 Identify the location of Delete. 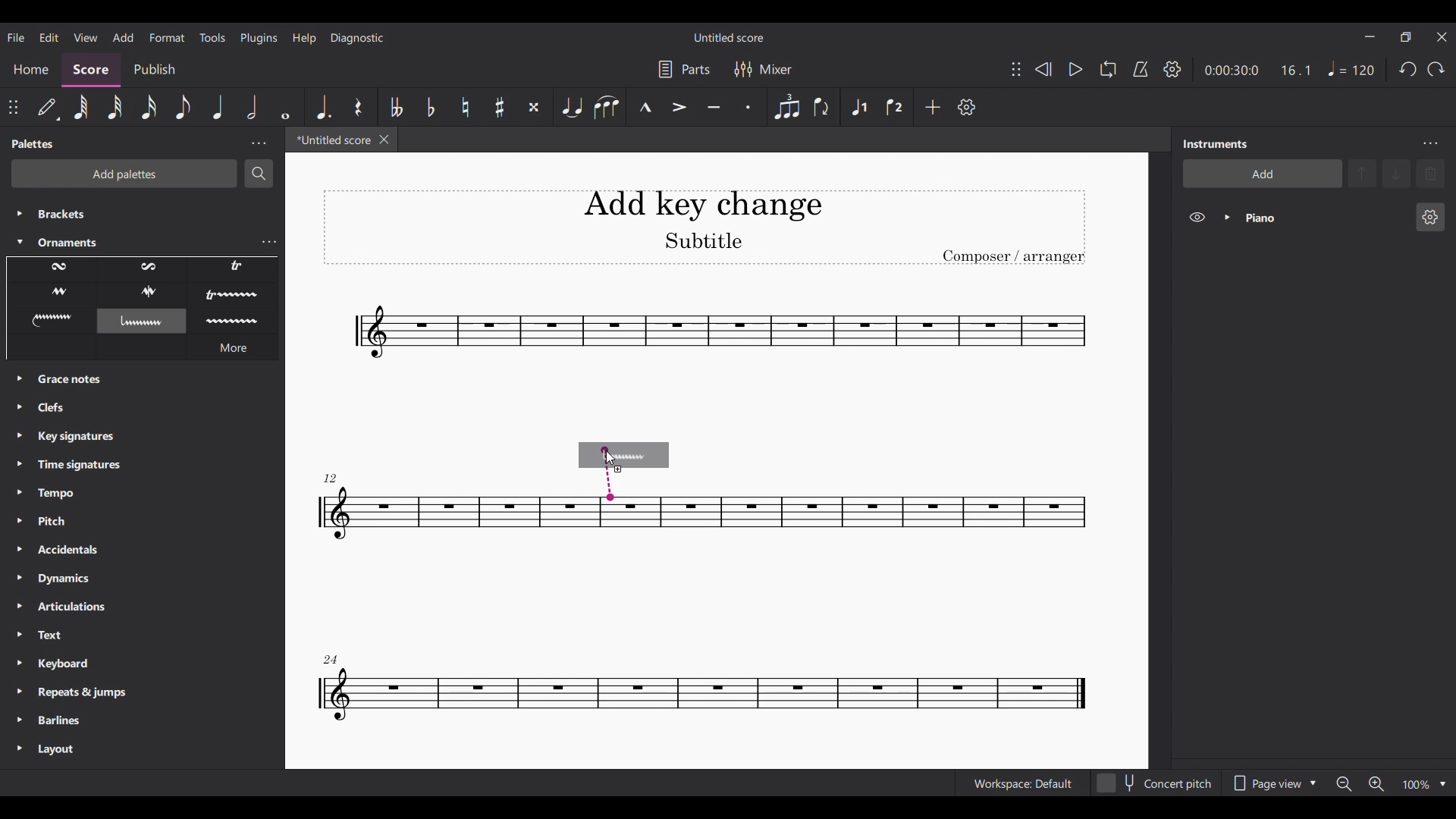
(1430, 174).